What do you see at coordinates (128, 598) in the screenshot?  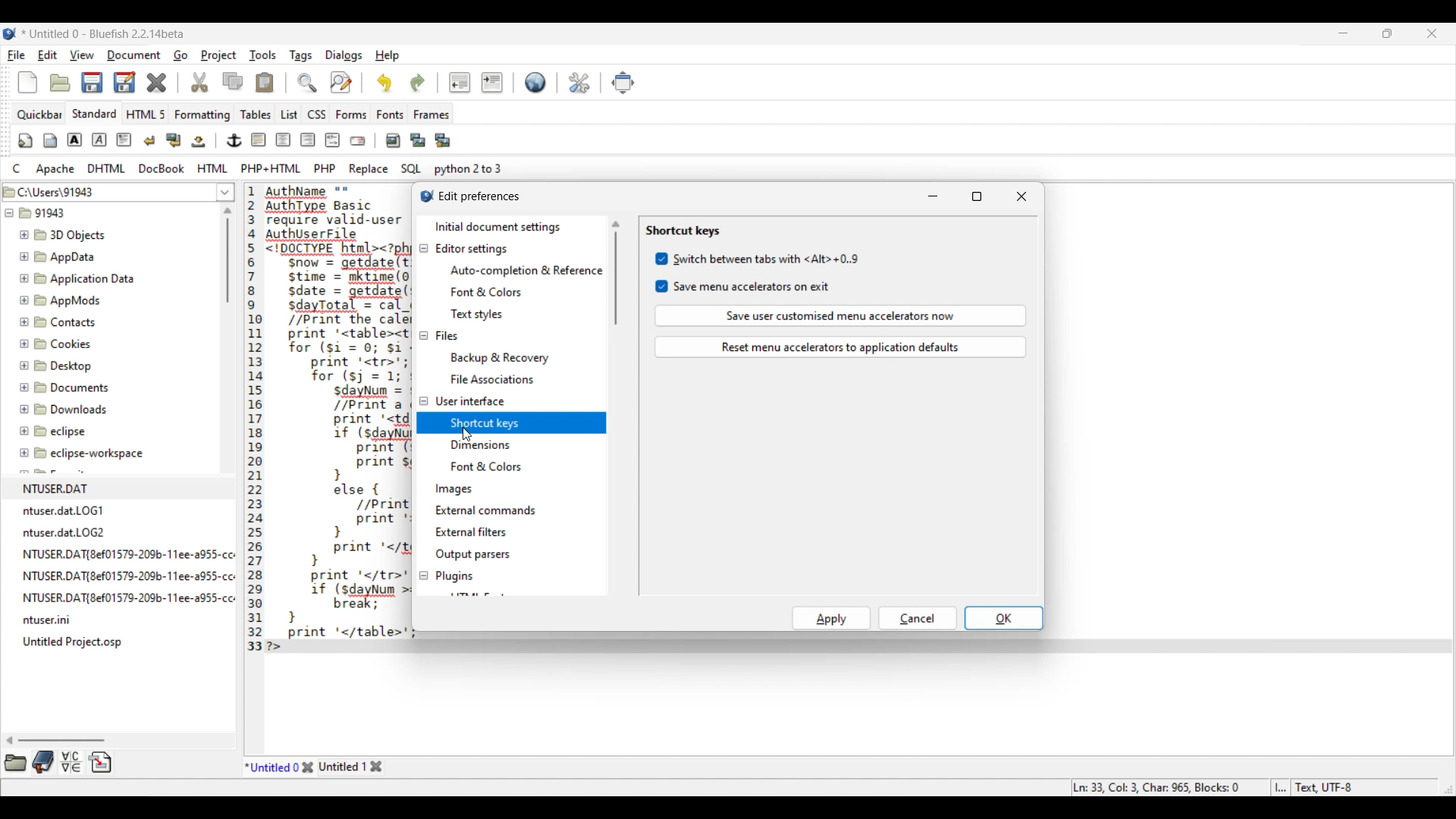 I see `NTUSER.DAT{8ef01579-209b-11ee-2955-cc:` at bounding box center [128, 598].